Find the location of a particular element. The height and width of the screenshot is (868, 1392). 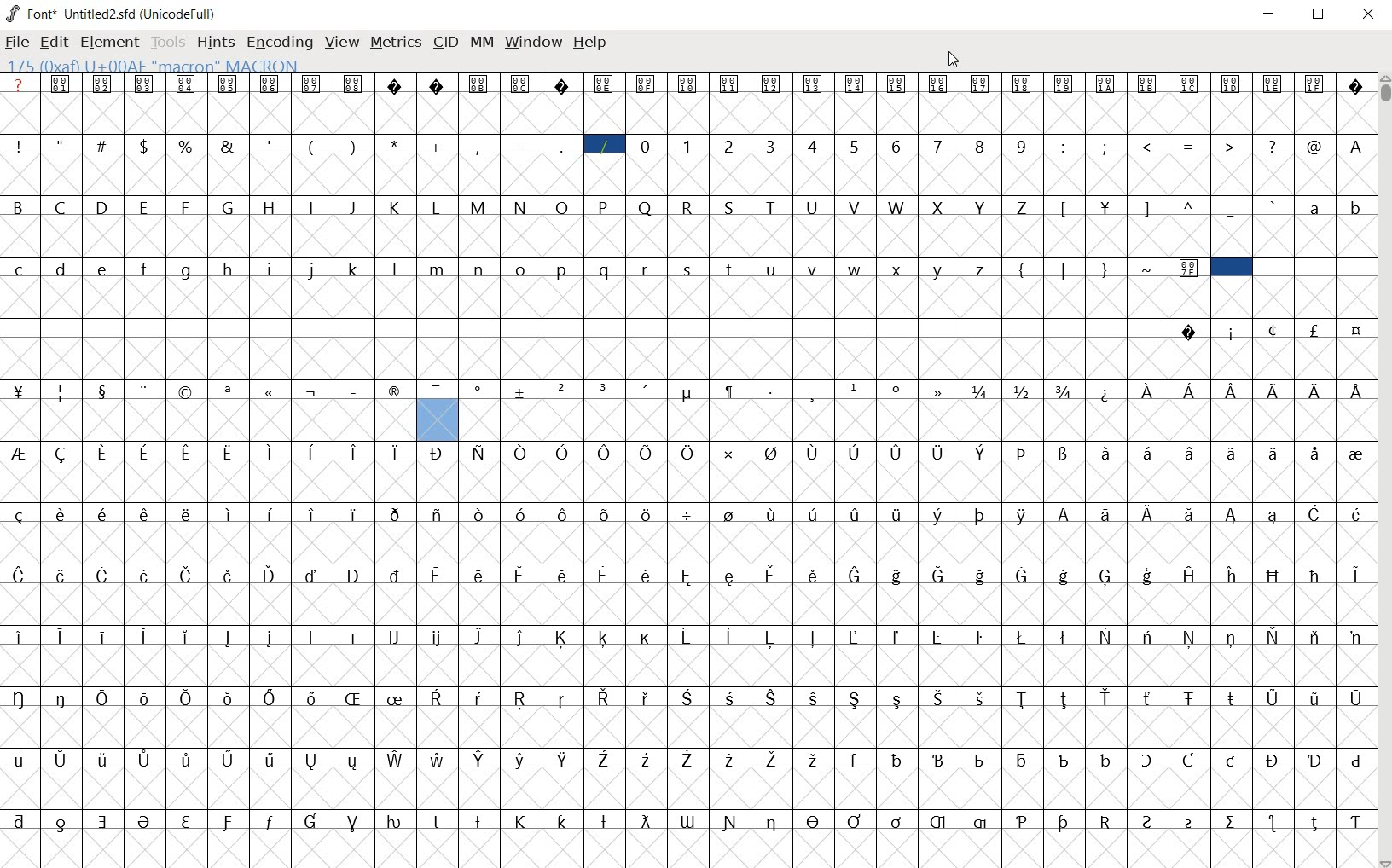

Symbol is located at coordinates (690, 697).